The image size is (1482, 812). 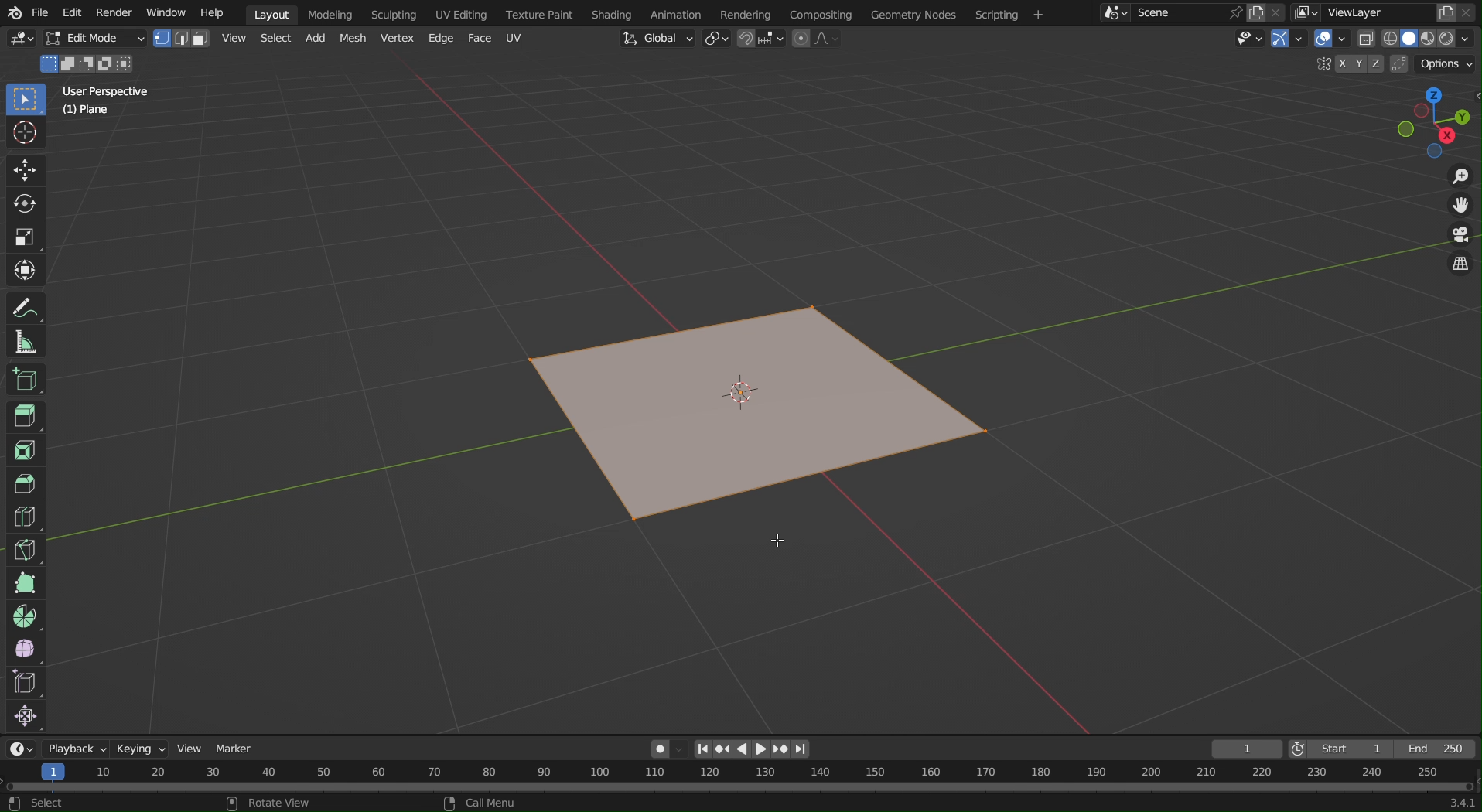 What do you see at coordinates (761, 414) in the screenshot?
I see `Plane (zero subdivisions)` at bounding box center [761, 414].